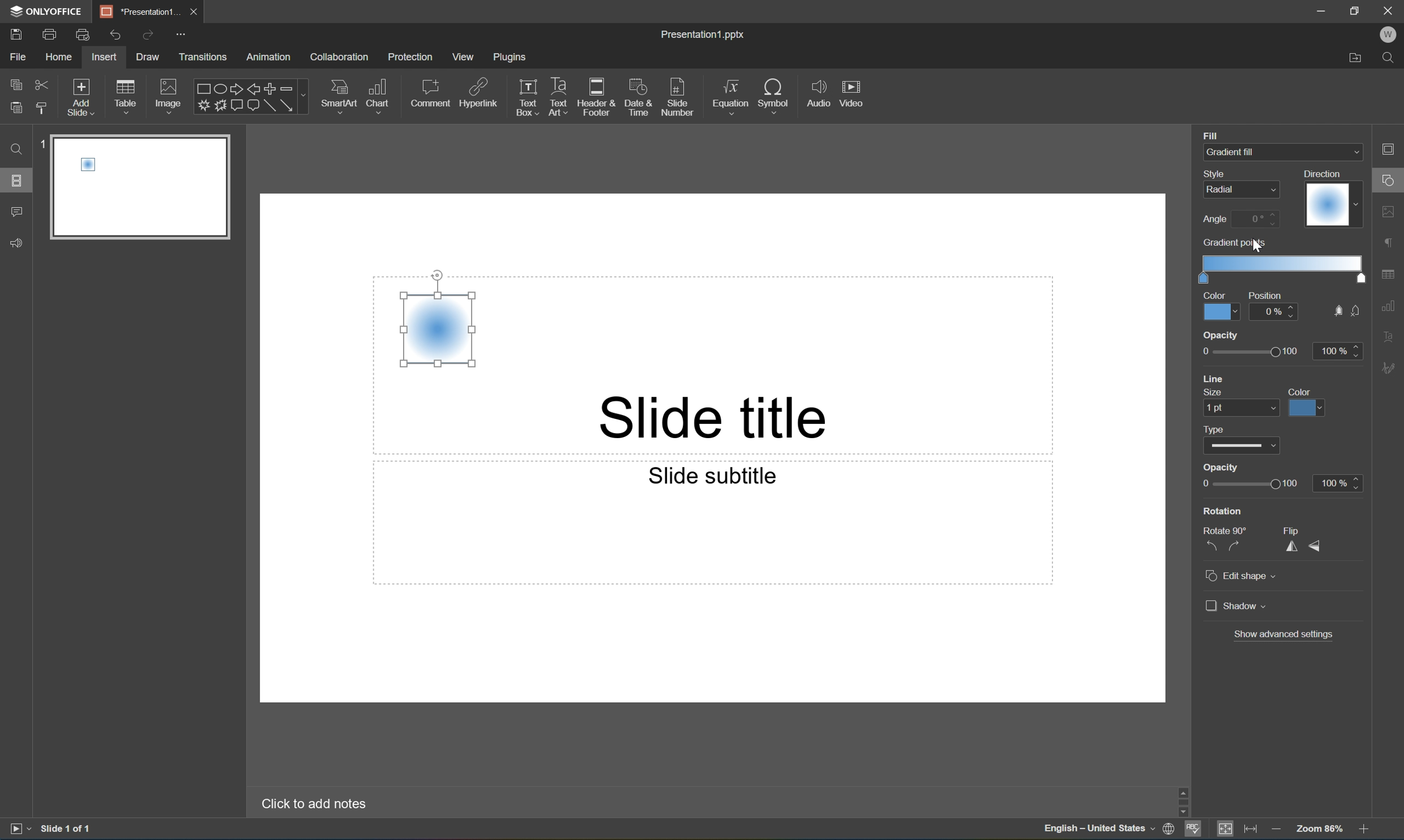 This screenshot has height=840, width=1404. What do you see at coordinates (19, 829) in the screenshot?
I see `Start slideshow` at bounding box center [19, 829].